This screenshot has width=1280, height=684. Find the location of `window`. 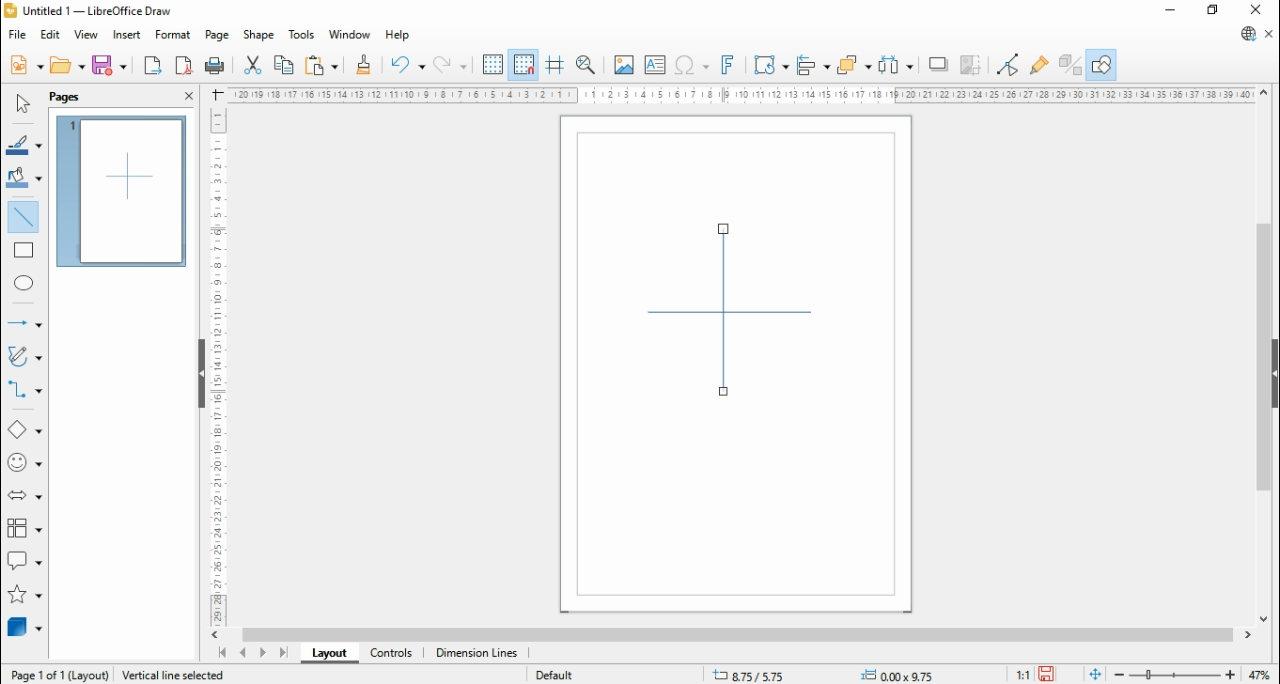

window is located at coordinates (349, 36).